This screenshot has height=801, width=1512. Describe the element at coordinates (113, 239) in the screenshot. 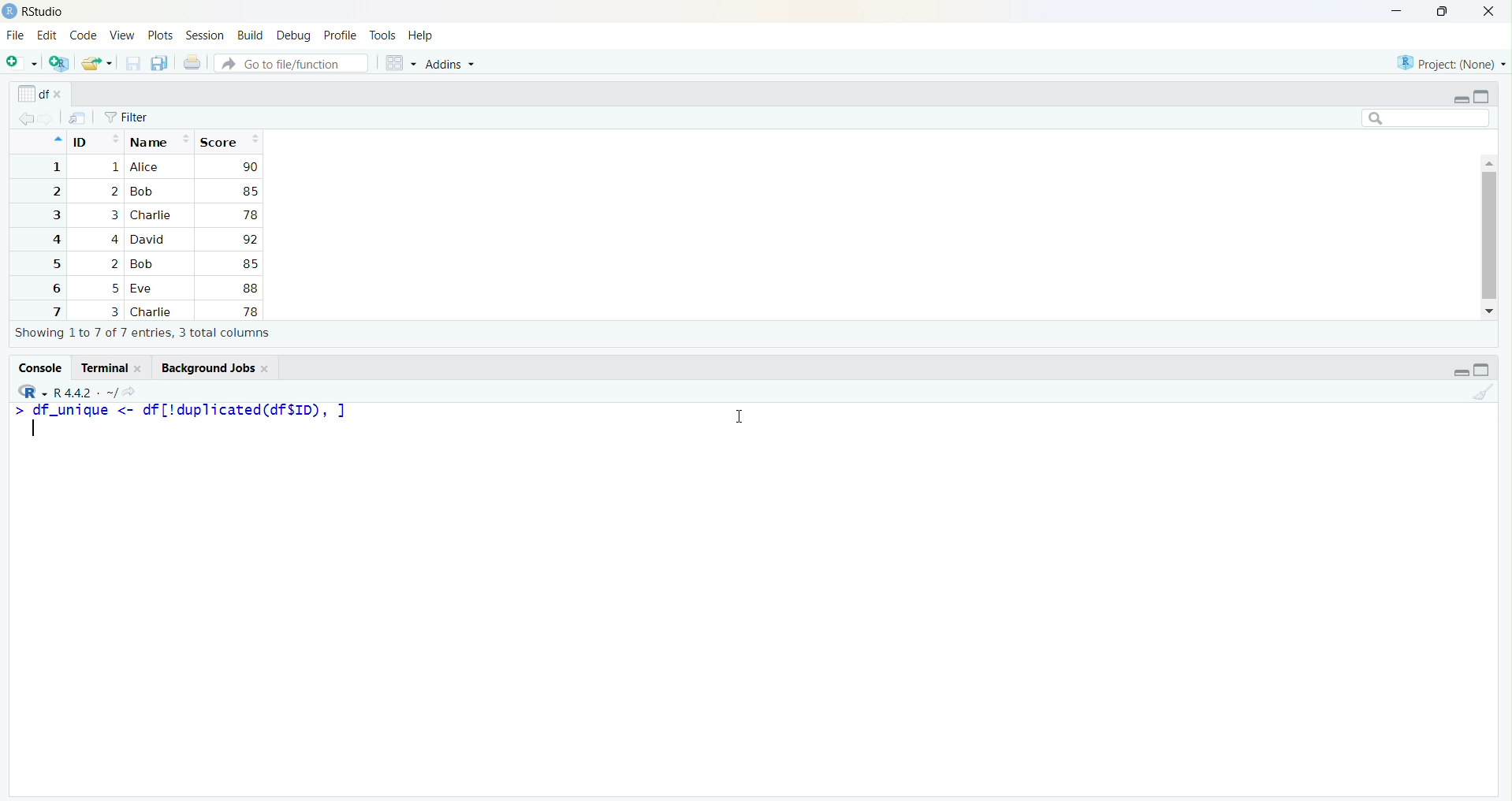

I see `4` at that location.